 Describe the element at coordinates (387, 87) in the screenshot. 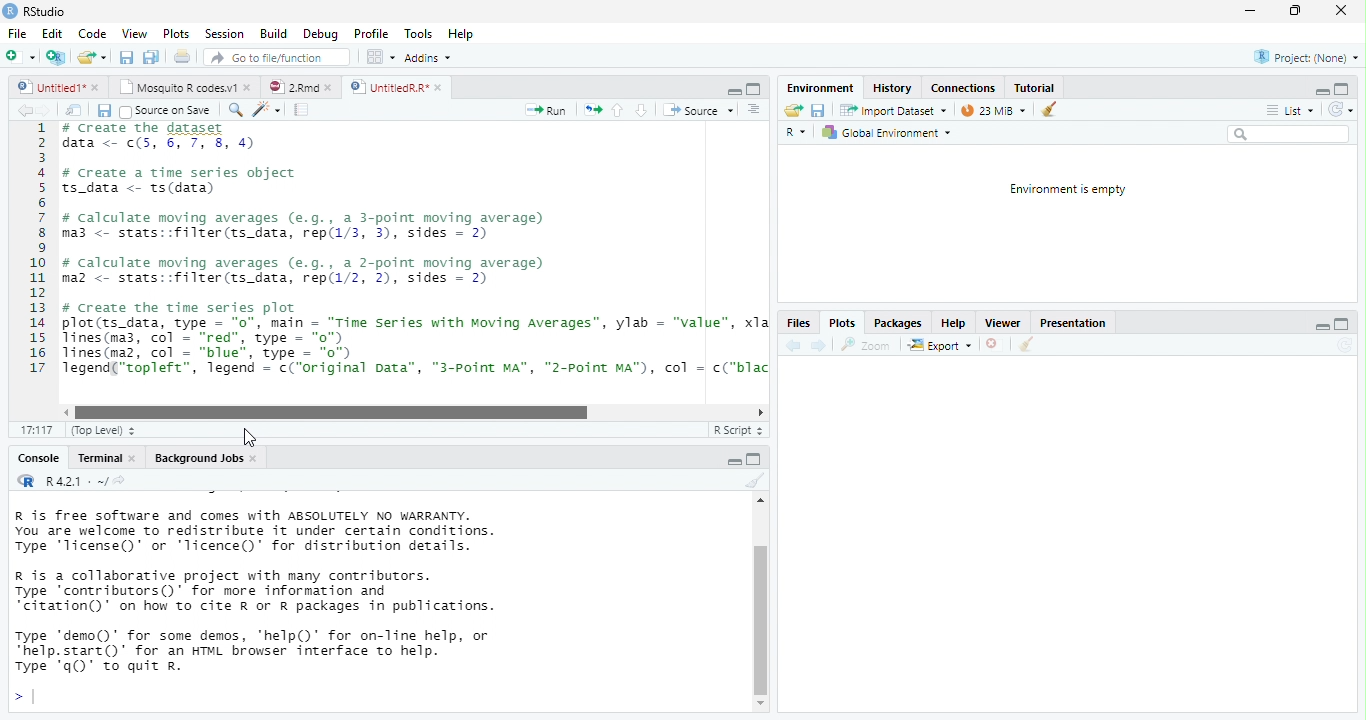

I see `UntitiedR.R"` at that location.